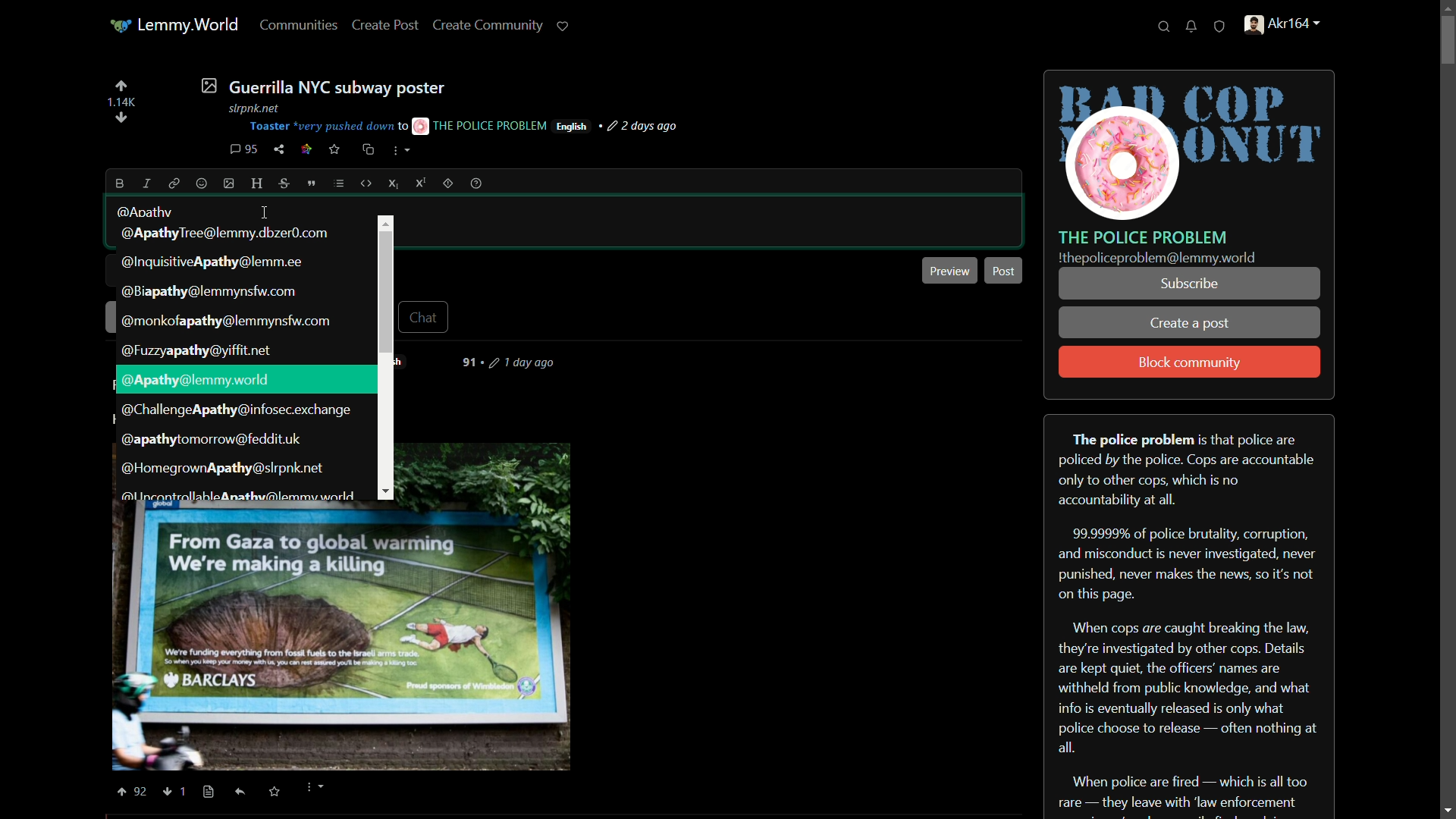 This screenshot has height=819, width=1456. What do you see at coordinates (328, 127) in the screenshot?
I see `Toaster "very pushed down t0` at bounding box center [328, 127].